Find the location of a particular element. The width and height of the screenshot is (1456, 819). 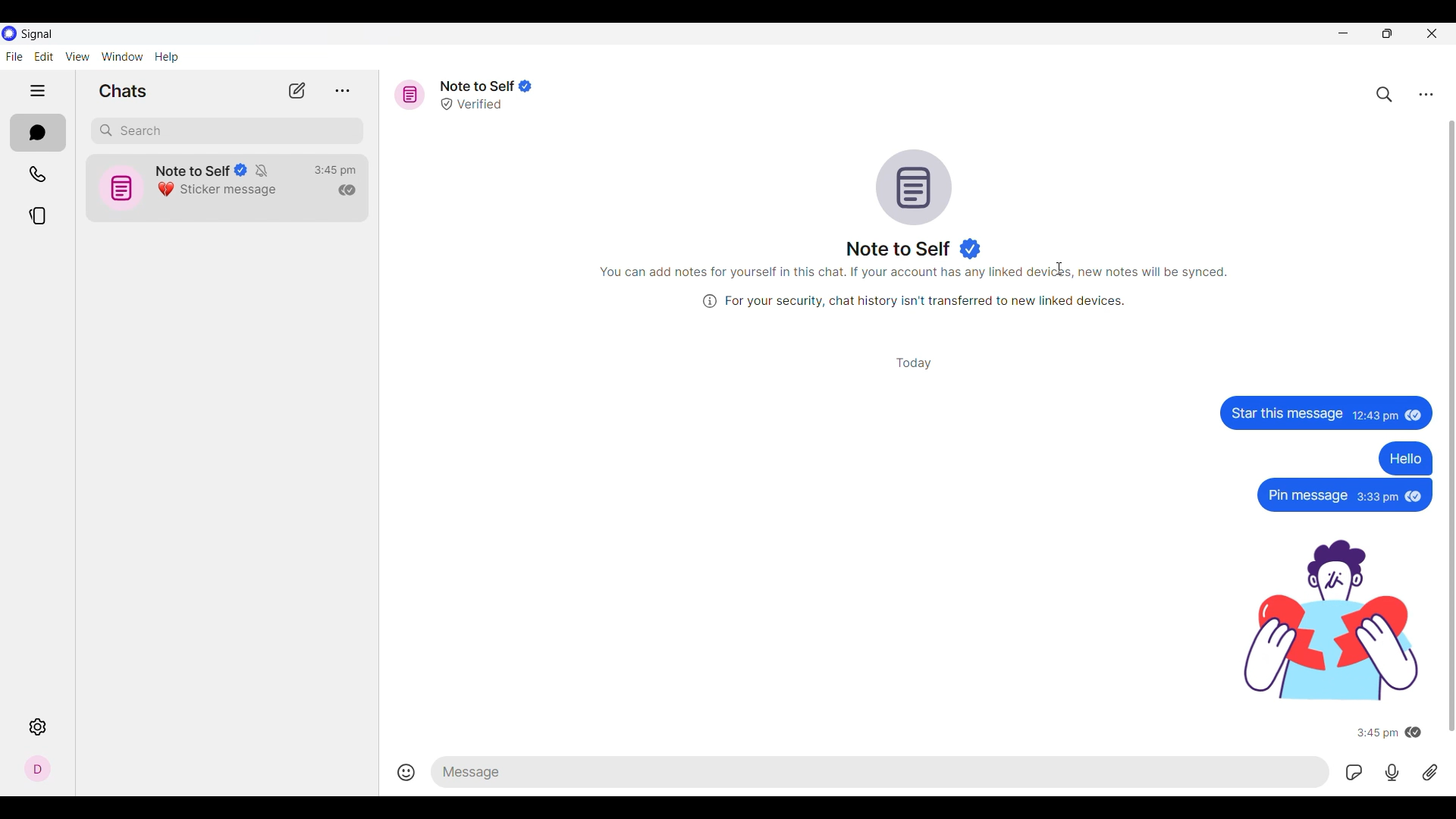

Insert emojis is located at coordinates (405, 770).